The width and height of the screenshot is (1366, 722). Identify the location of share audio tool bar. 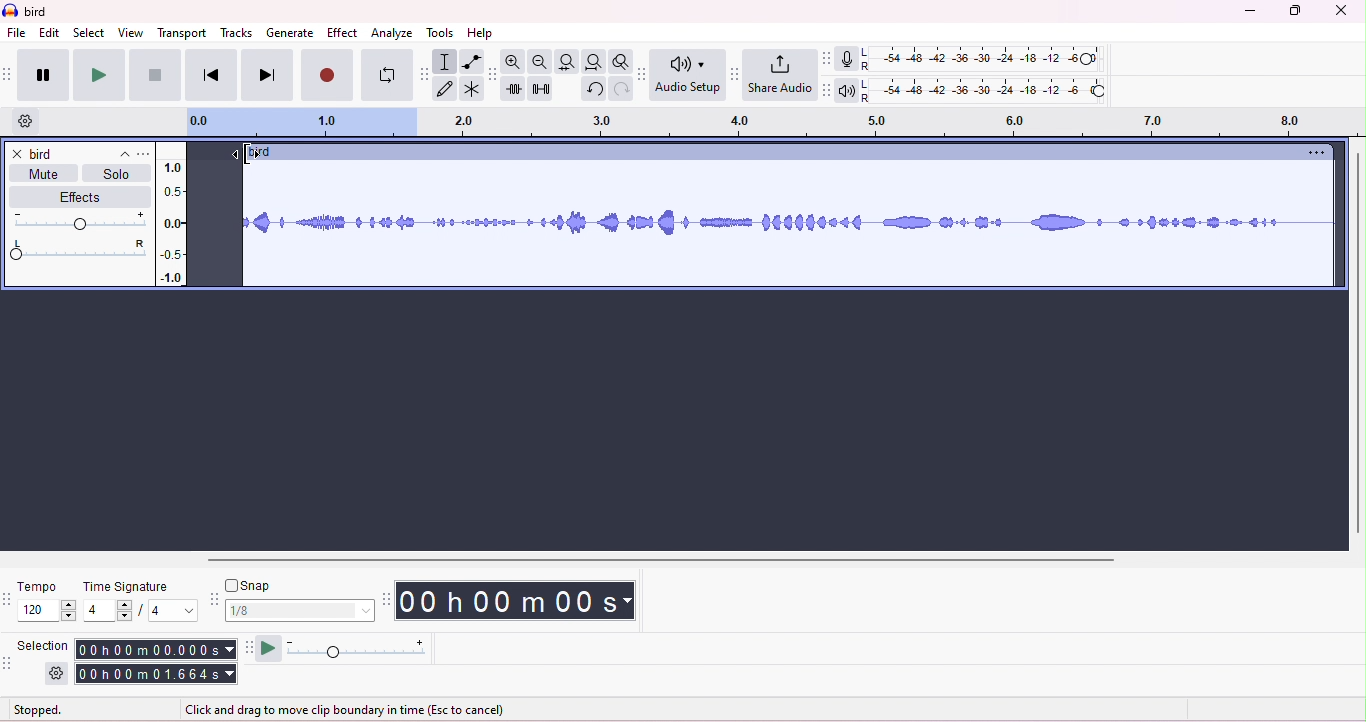
(734, 73).